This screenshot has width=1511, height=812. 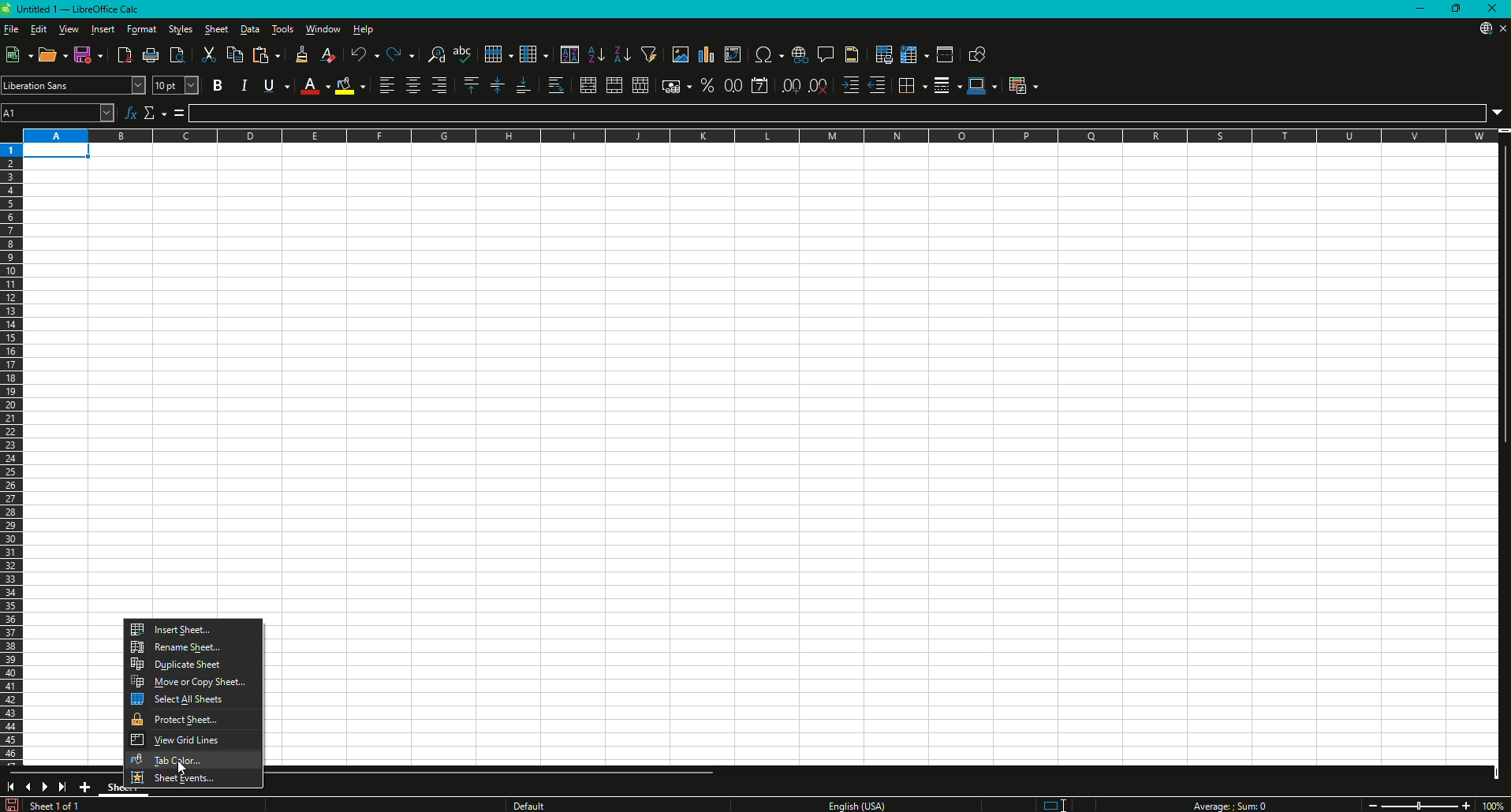 I want to click on Column, so click(x=535, y=54).